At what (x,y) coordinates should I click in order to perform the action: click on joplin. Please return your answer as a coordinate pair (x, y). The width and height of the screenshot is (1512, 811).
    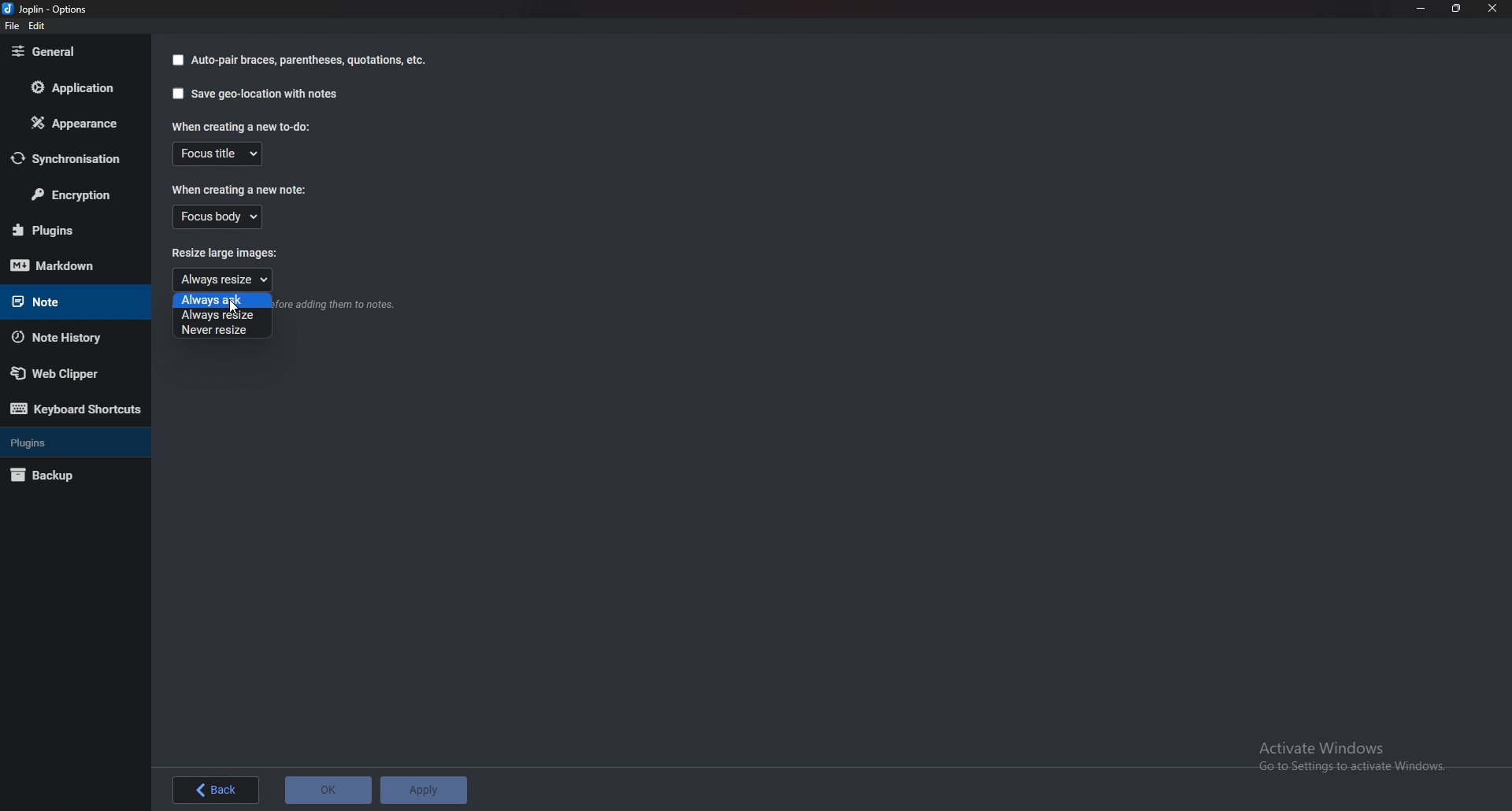
    Looking at the image, I should click on (48, 9).